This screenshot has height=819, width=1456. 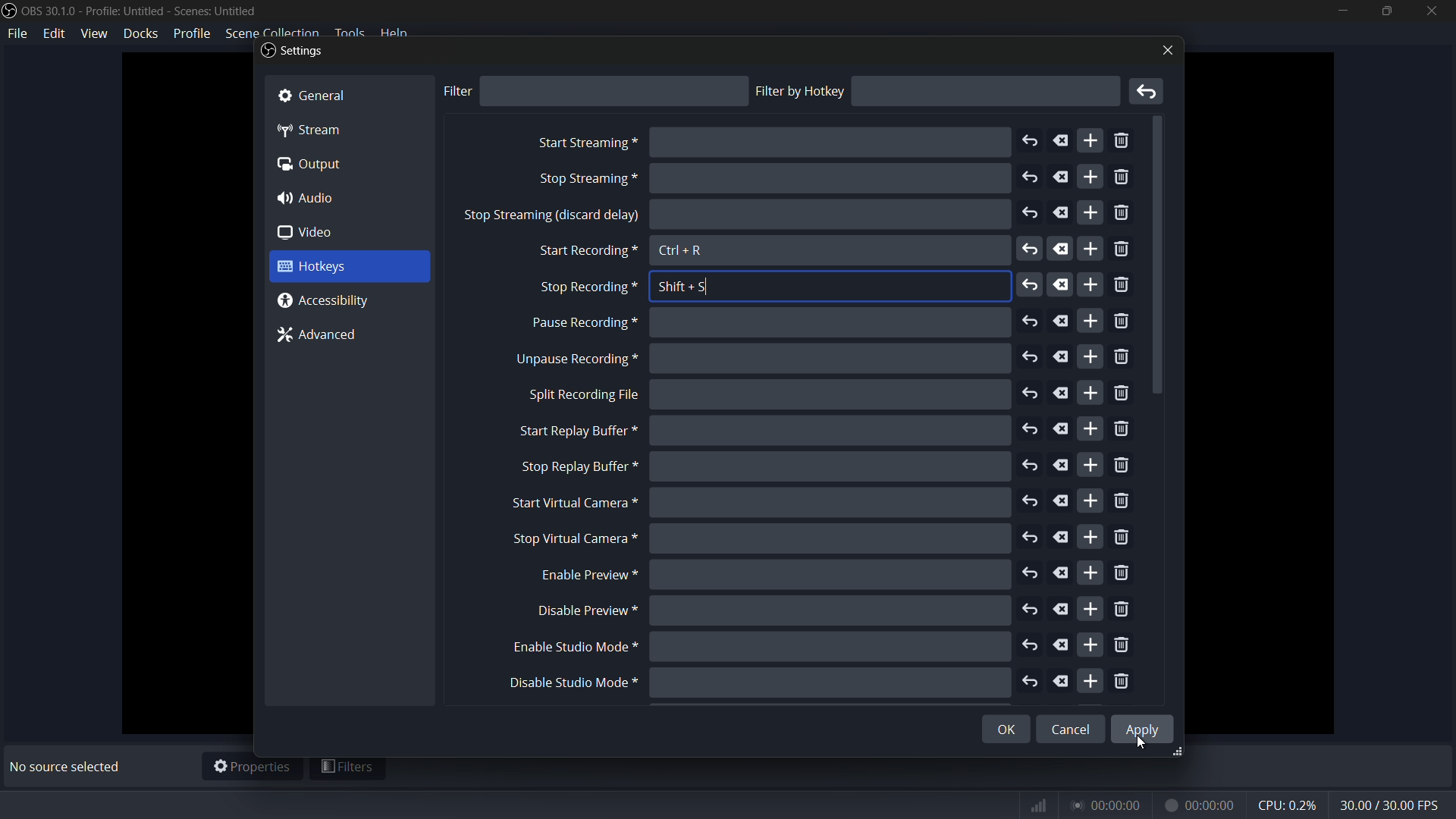 What do you see at coordinates (1122, 430) in the screenshot?
I see `remove` at bounding box center [1122, 430].